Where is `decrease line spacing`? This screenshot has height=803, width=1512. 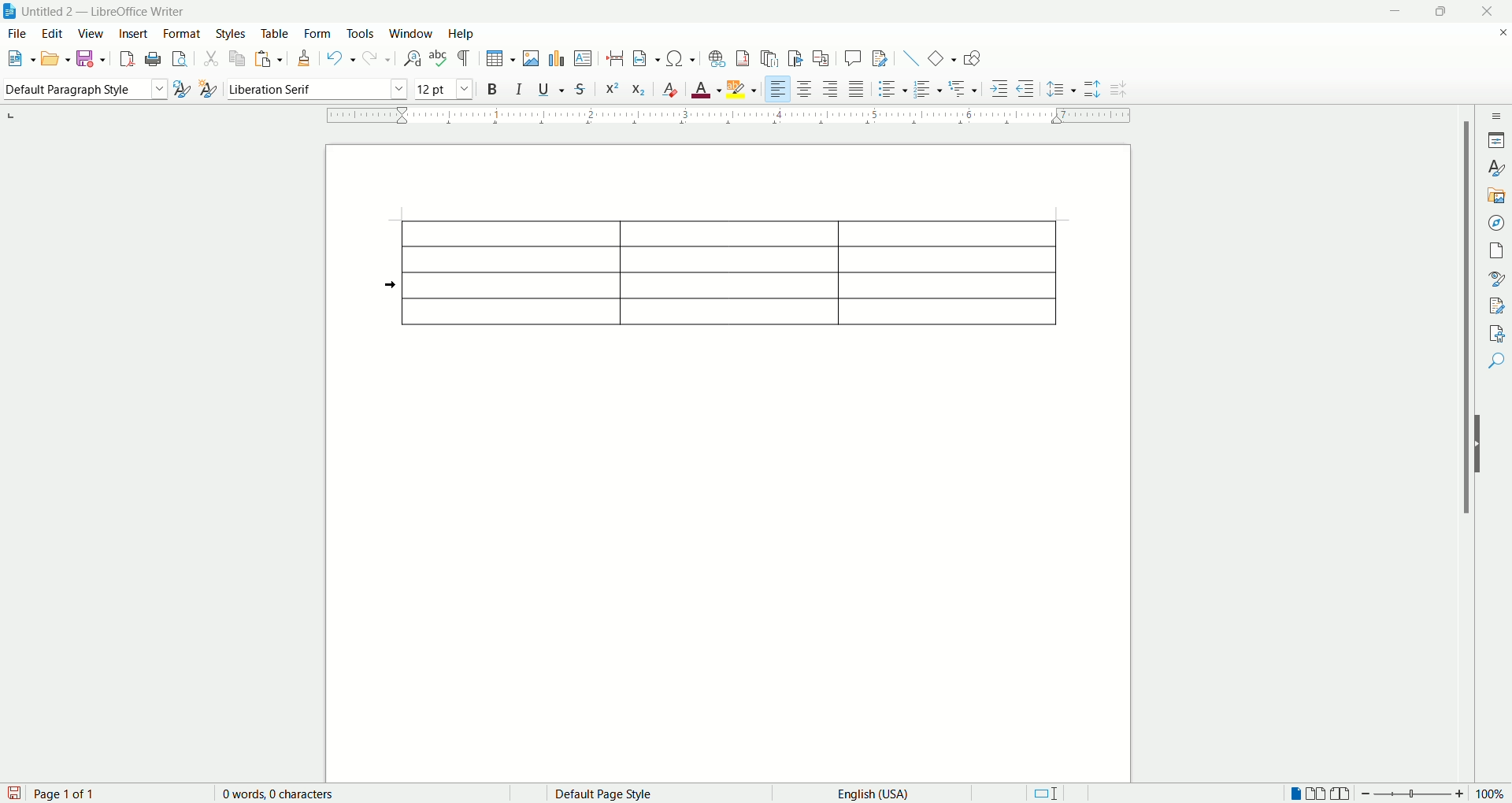
decrease line spacing is located at coordinates (1121, 92).